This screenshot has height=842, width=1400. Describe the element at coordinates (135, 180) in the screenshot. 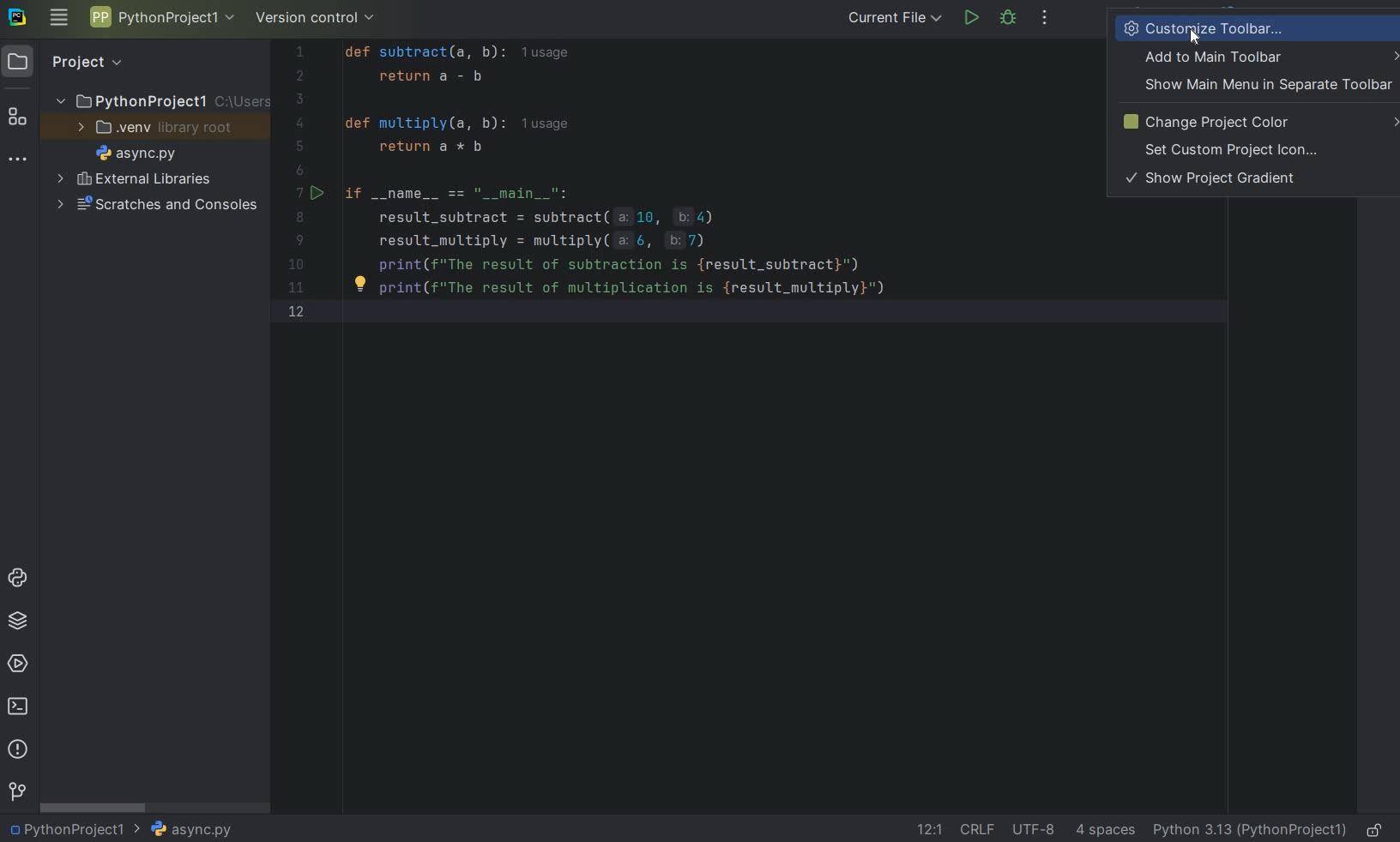

I see `EXTERNAL LIBRARIES` at that location.